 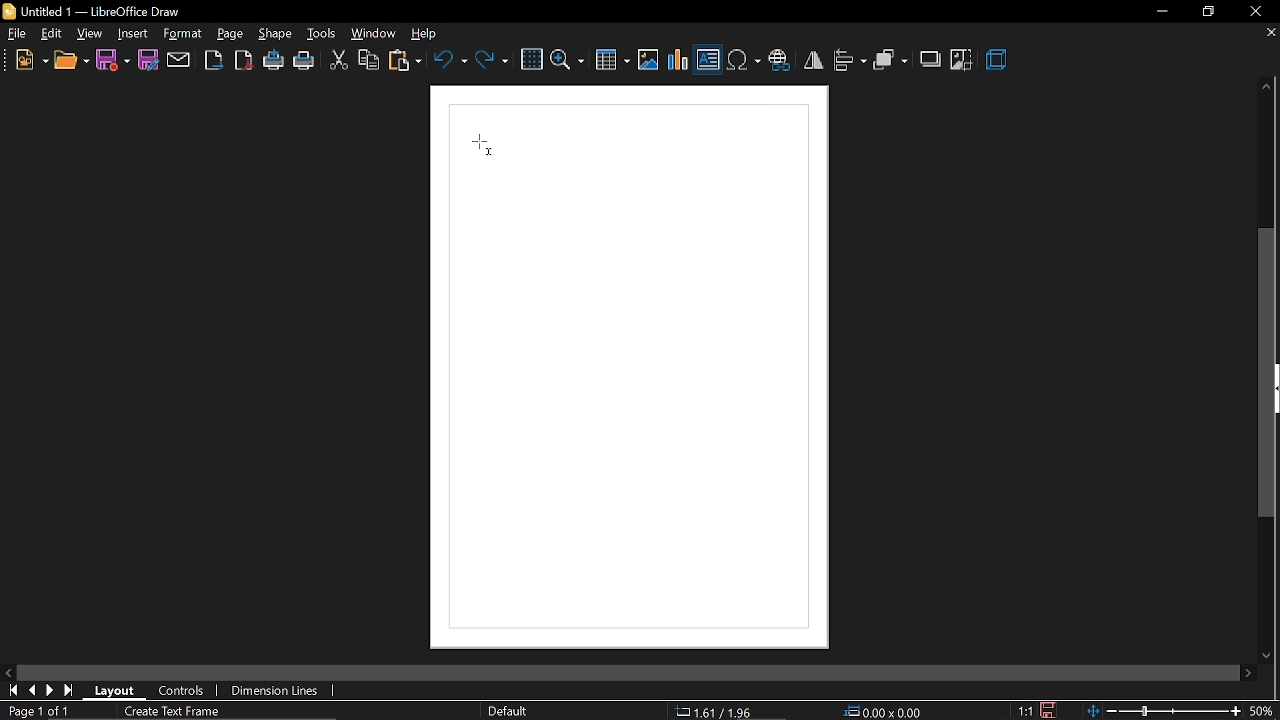 What do you see at coordinates (568, 59) in the screenshot?
I see `zoom` at bounding box center [568, 59].